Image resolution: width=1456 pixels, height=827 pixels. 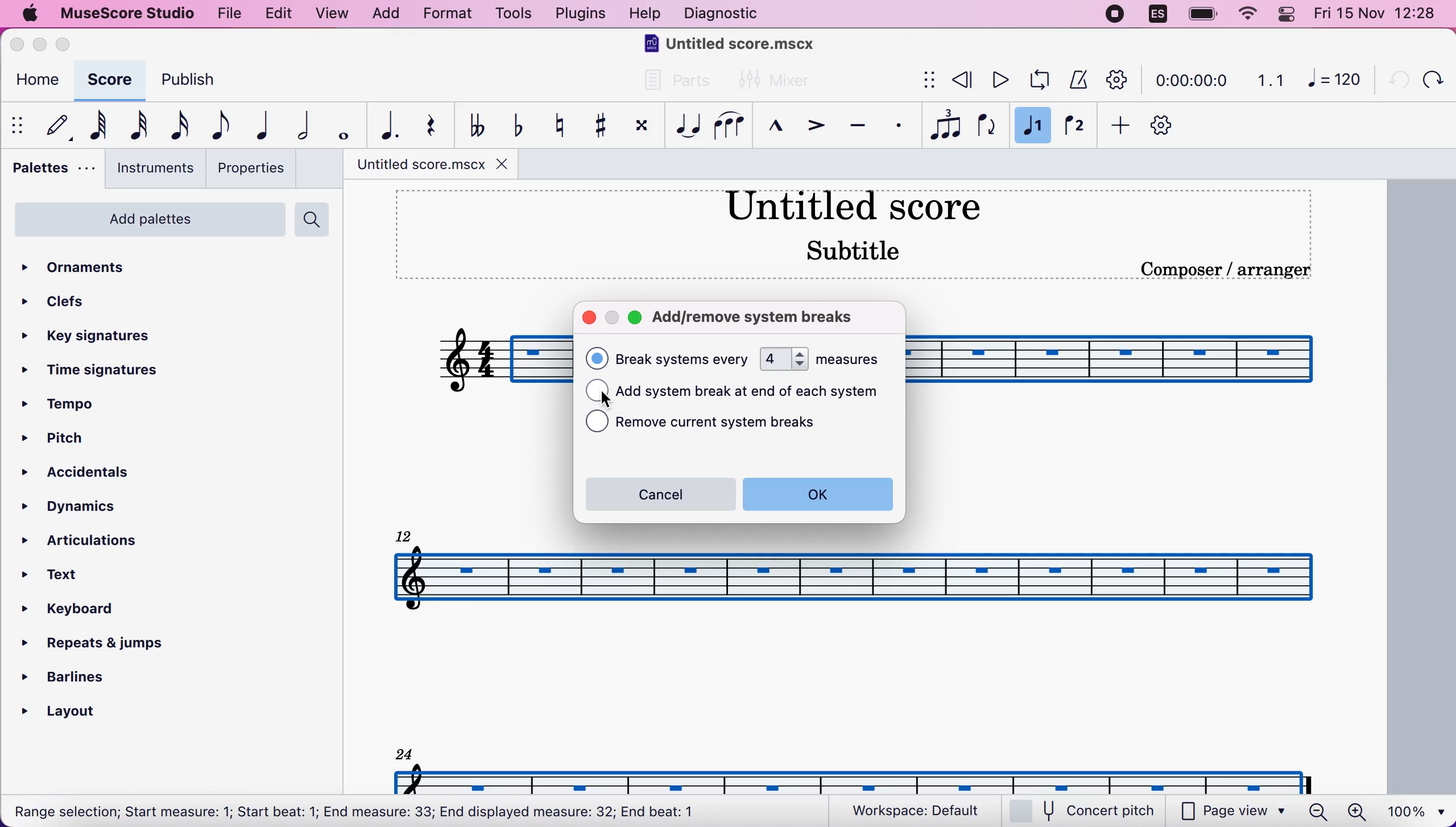 What do you see at coordinates (734, 424) in the screenshot?
I see `remove current system breaks` at bounding box center [734, 424].